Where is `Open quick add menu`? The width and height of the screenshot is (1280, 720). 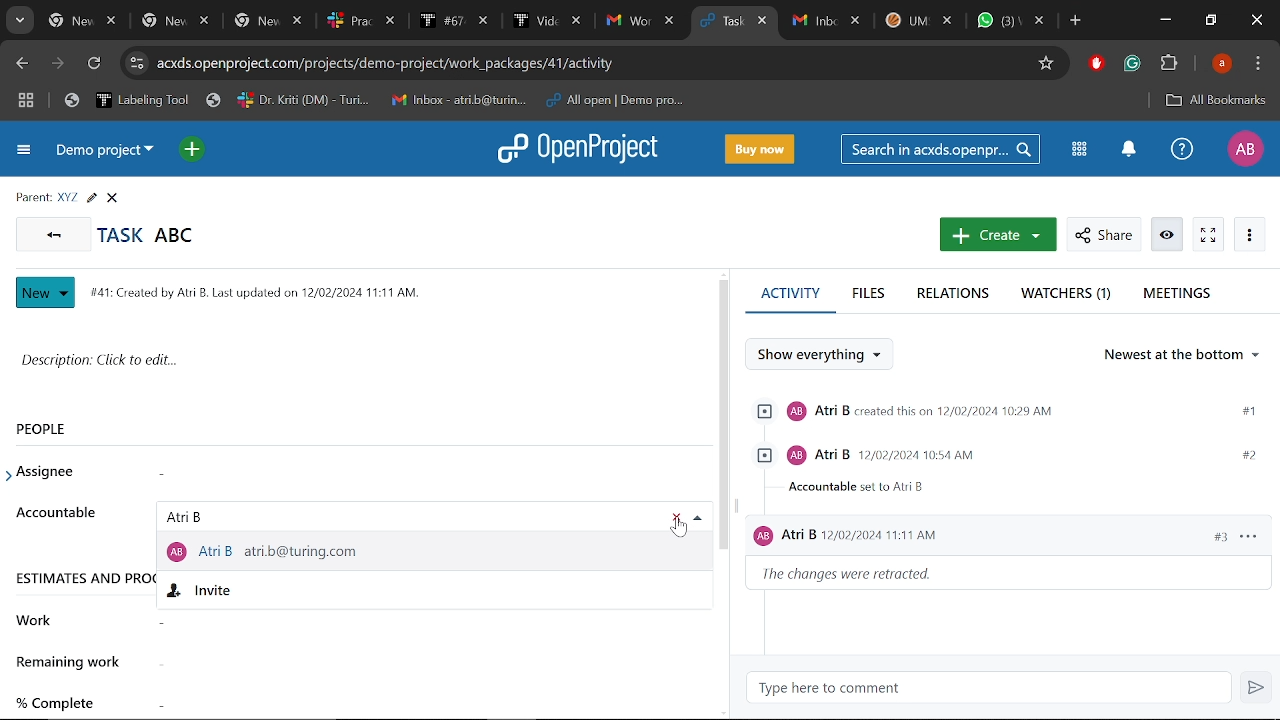 Open quick add menu is located at coordinates (194, 151).